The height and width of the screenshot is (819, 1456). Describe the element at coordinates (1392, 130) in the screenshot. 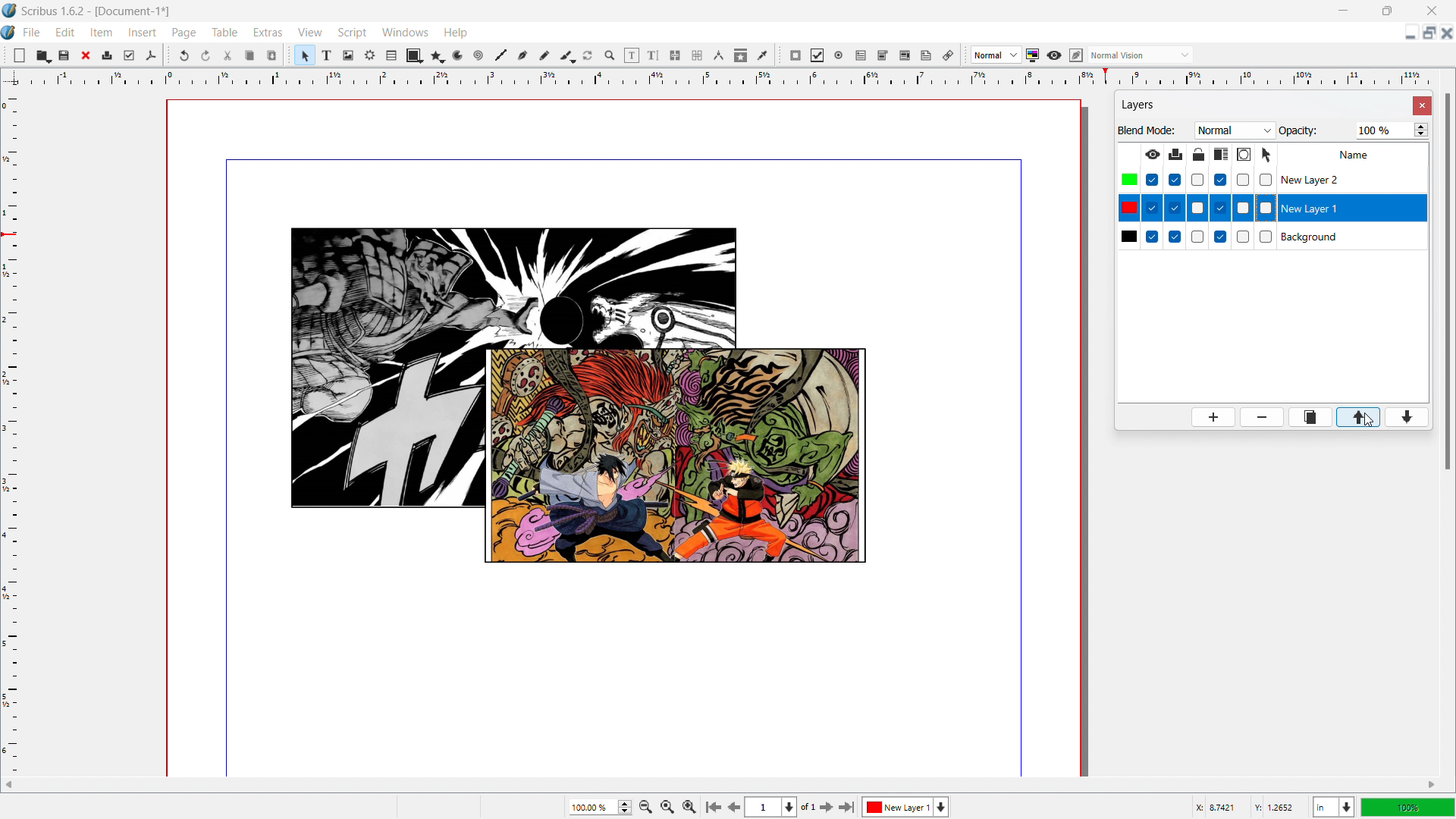

I see `opacity` at that location.